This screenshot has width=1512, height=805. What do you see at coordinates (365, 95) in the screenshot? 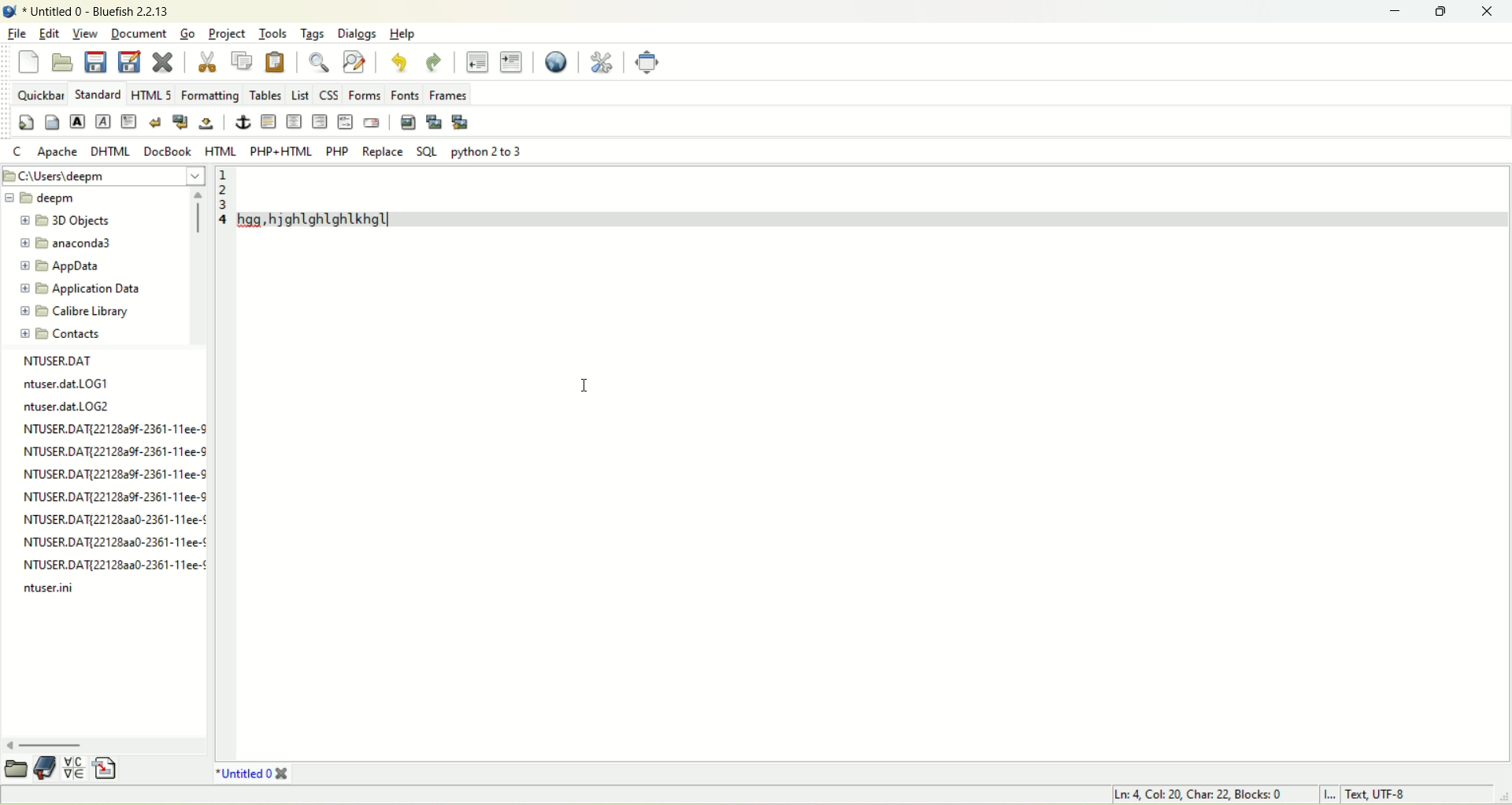
I see `forms` at bounding box center [365, 95].